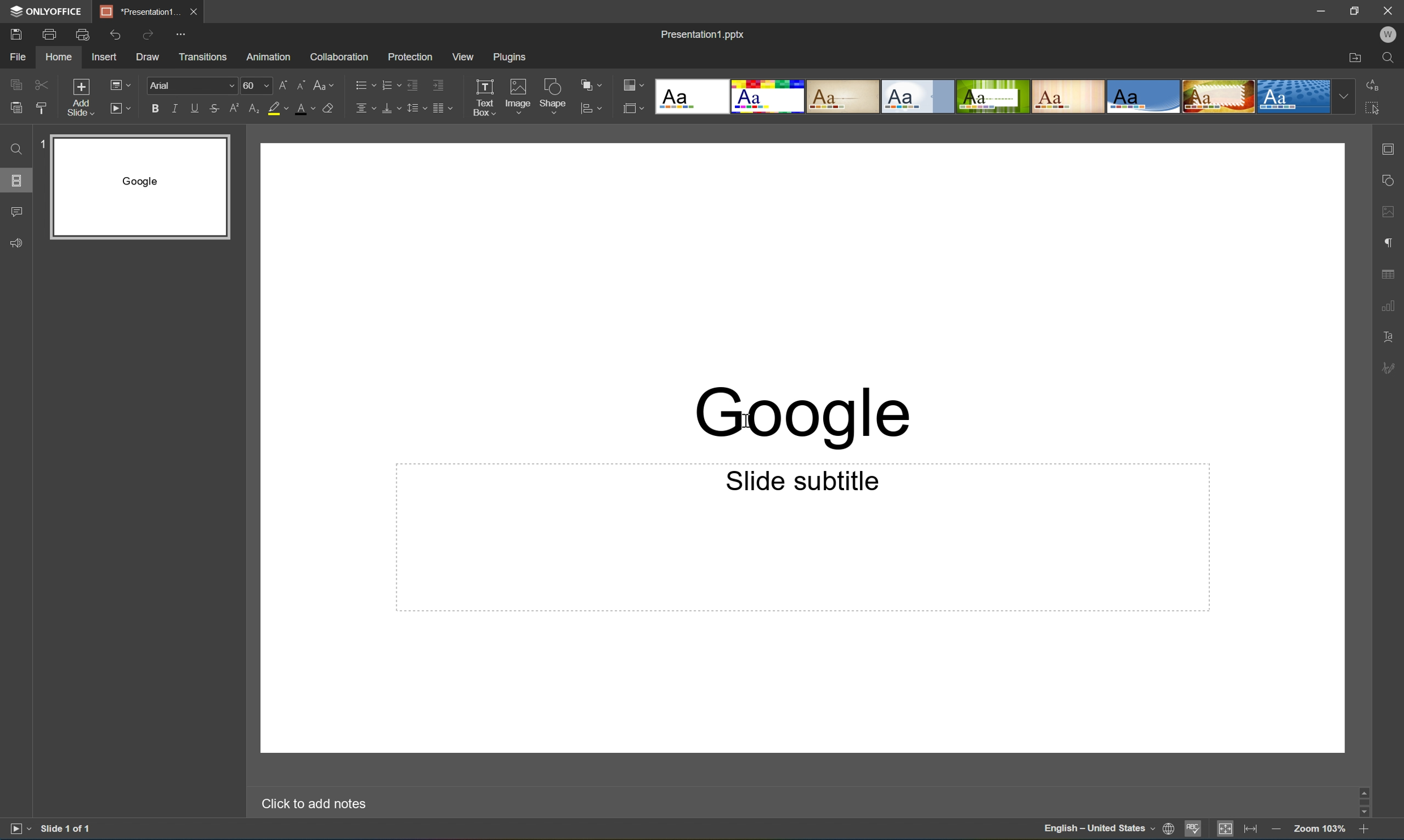 This screenshot has height=840, width=1404. Describe the element at coordinates (518, 96) in the screenshot. I see `Image` at that location.